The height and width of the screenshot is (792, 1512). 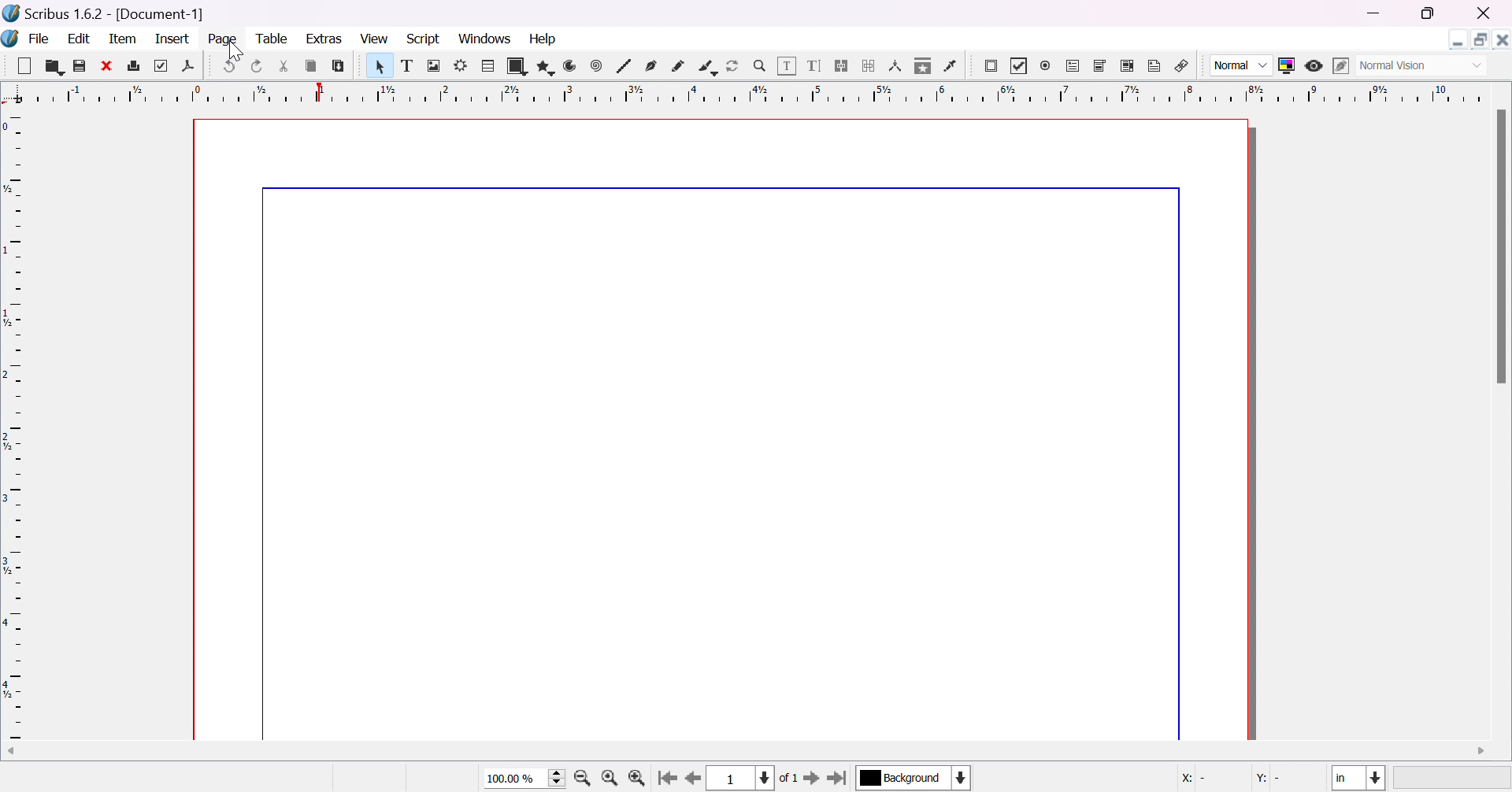 I want to click on select current unit, so click(x=1360, y=779).